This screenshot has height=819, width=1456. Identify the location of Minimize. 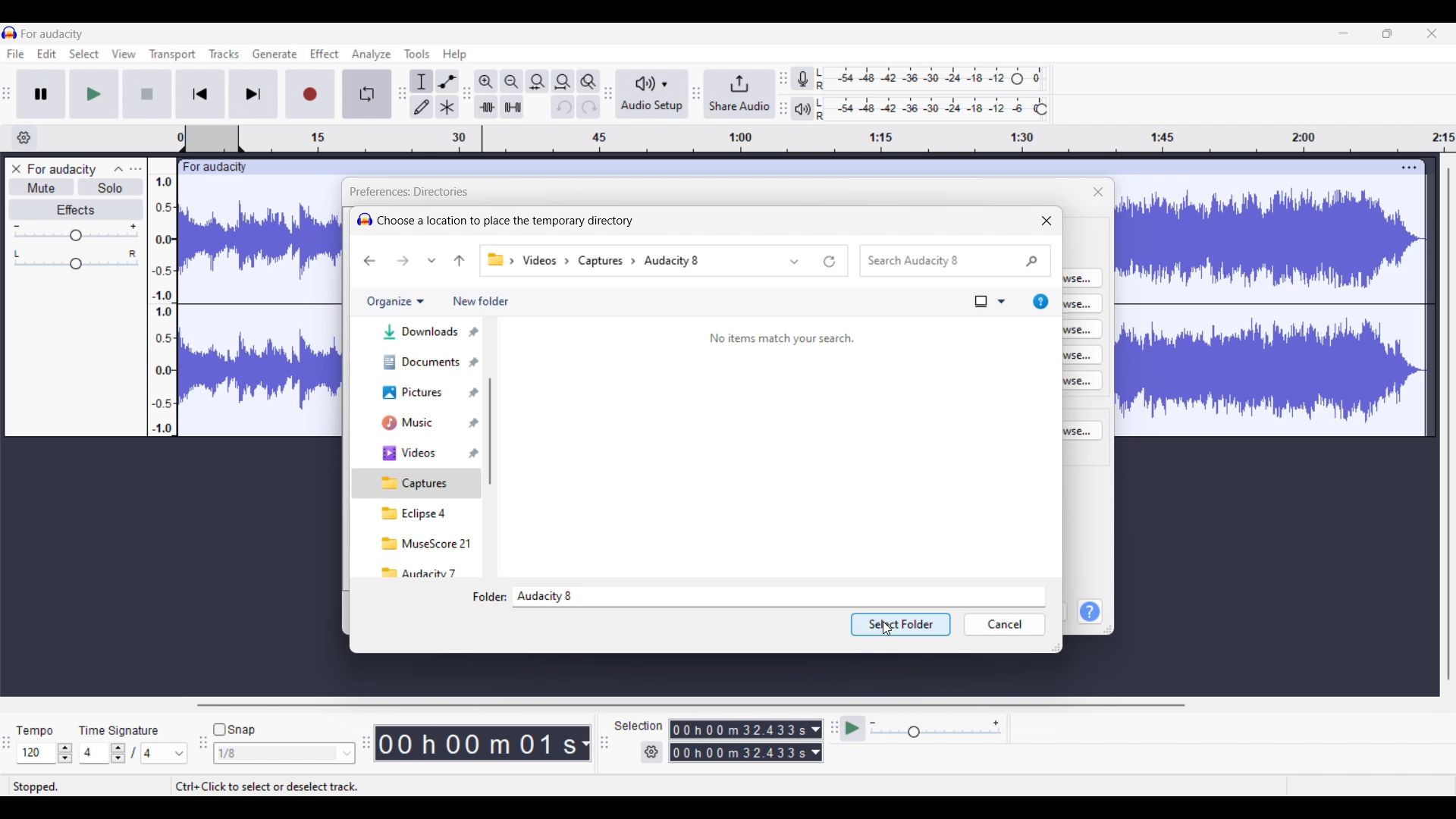
(1344, 33).